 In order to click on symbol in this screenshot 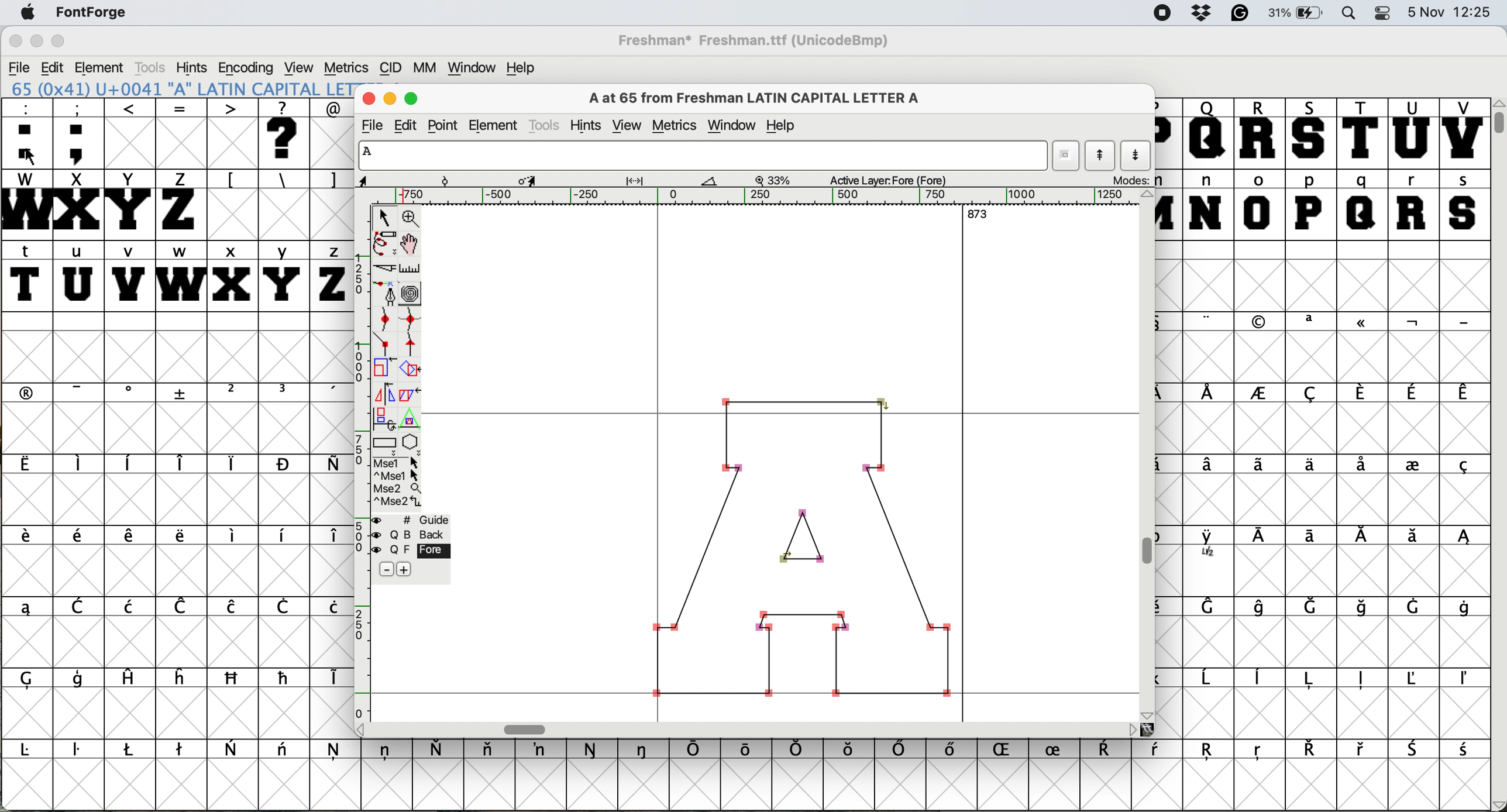, I will do `click(131, 605)`.